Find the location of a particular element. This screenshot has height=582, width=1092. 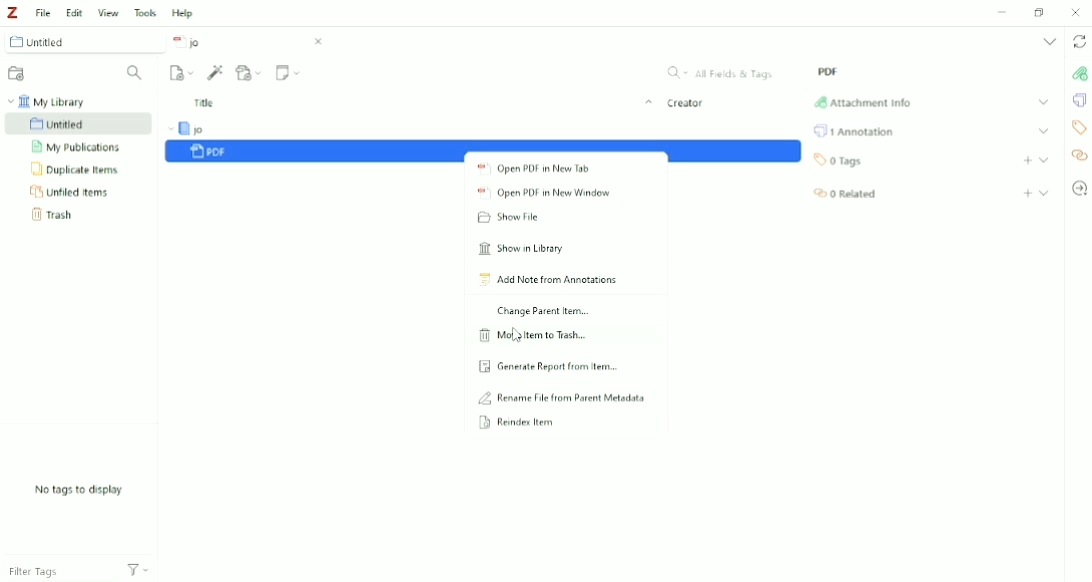

PDF is located at coordinates (827, 71).